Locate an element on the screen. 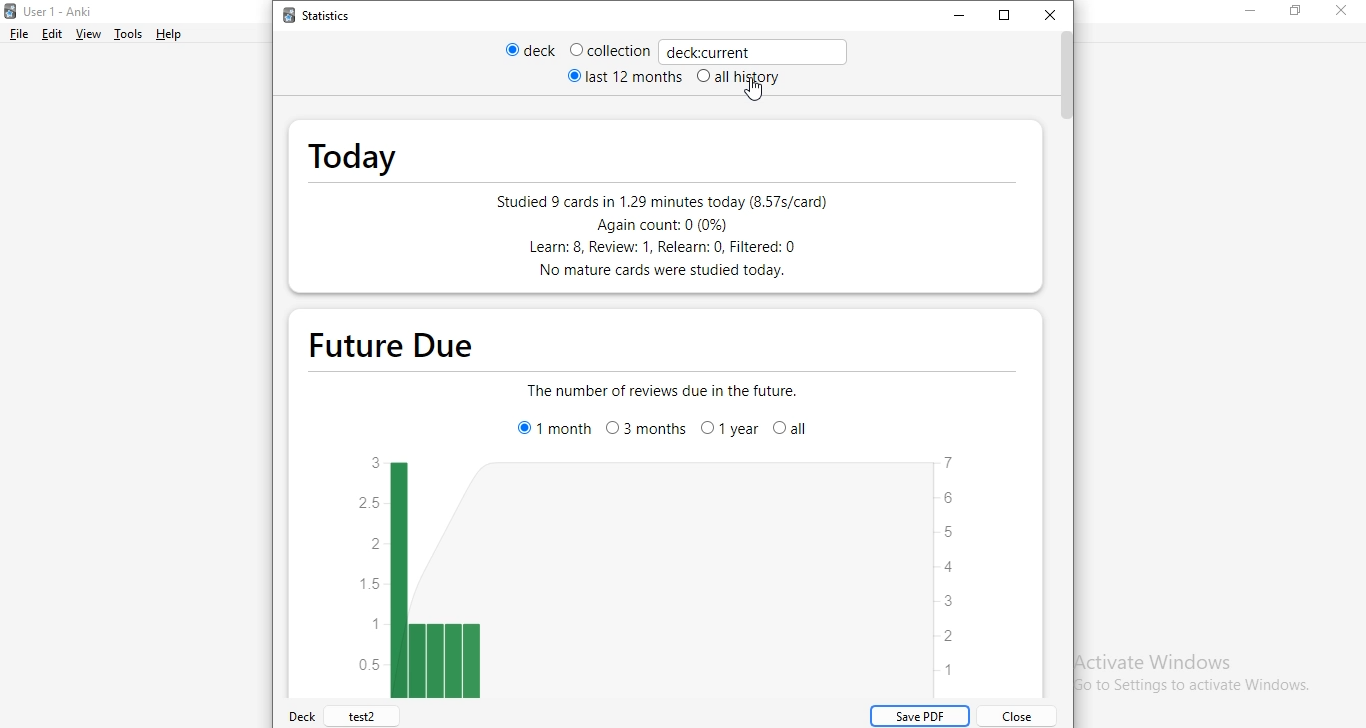 The height and width of the screenshot is (728, 1366). 1 year is located at coordinates (731, 433).